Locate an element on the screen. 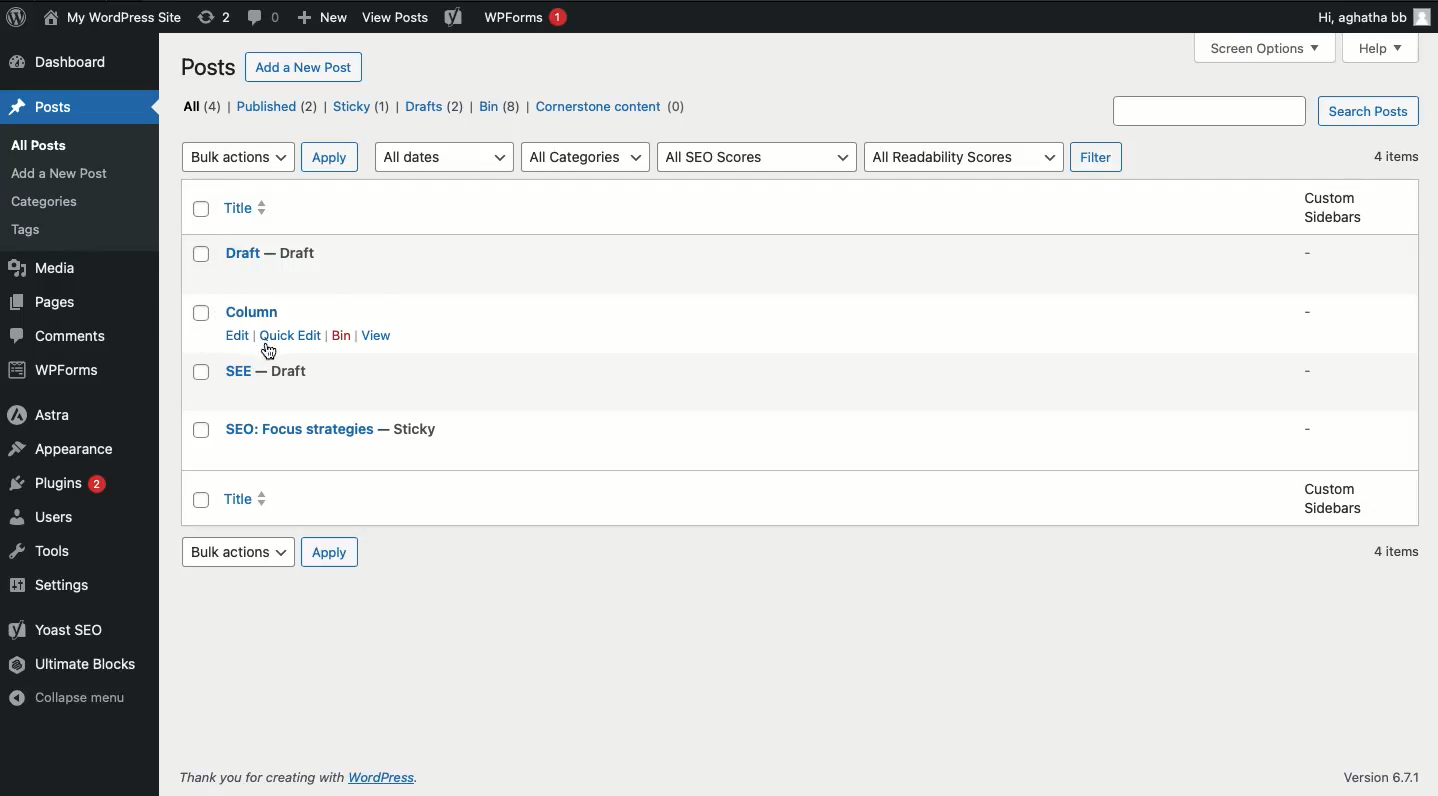  Bulk actions is located at coordinates (240, 551).